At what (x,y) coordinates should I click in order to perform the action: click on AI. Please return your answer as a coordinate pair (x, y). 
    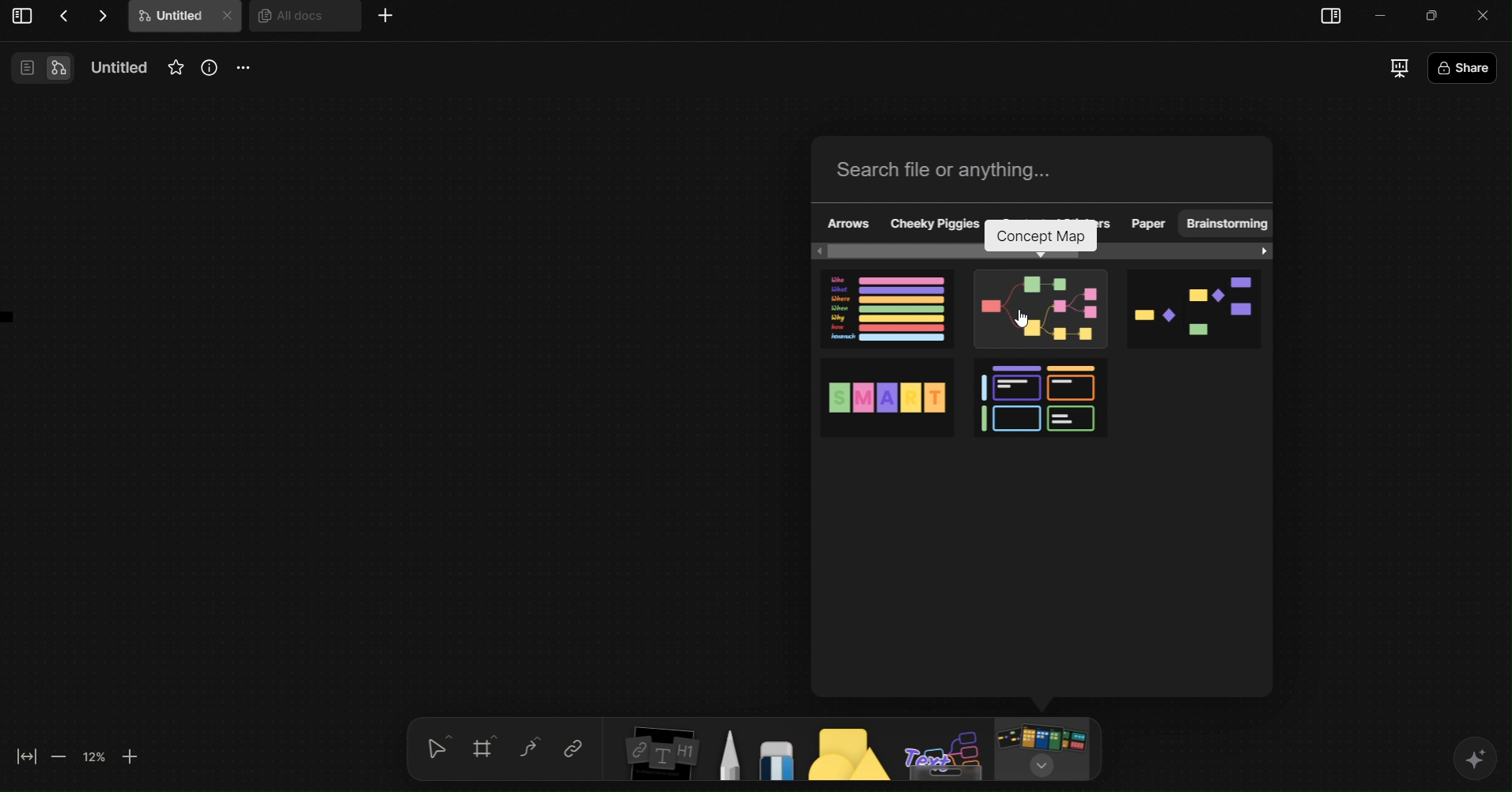
    Looking at the image, I should click on (1477, 761).